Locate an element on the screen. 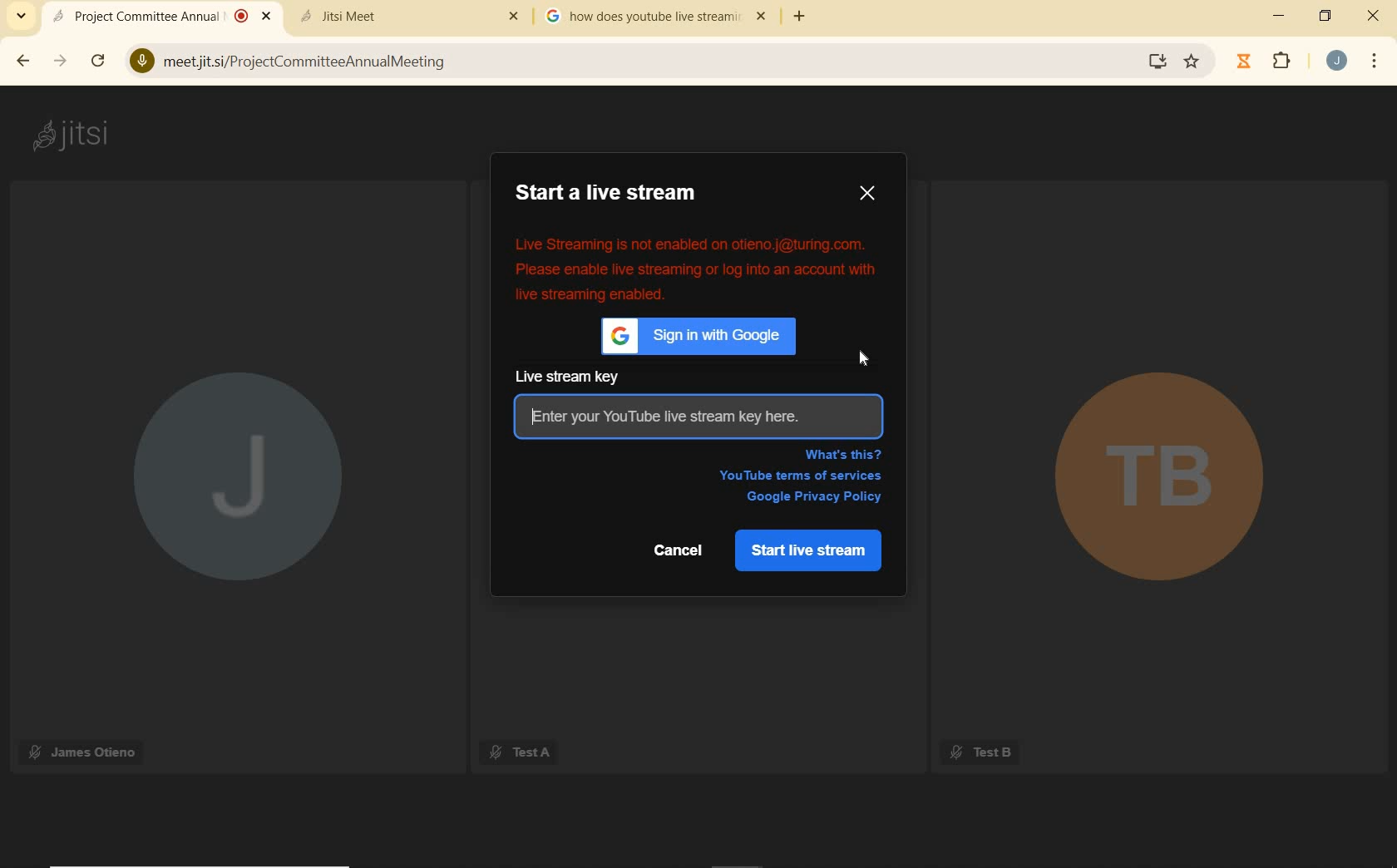 The image size is (1397, 868). tab is located at coordinates (639, 17).